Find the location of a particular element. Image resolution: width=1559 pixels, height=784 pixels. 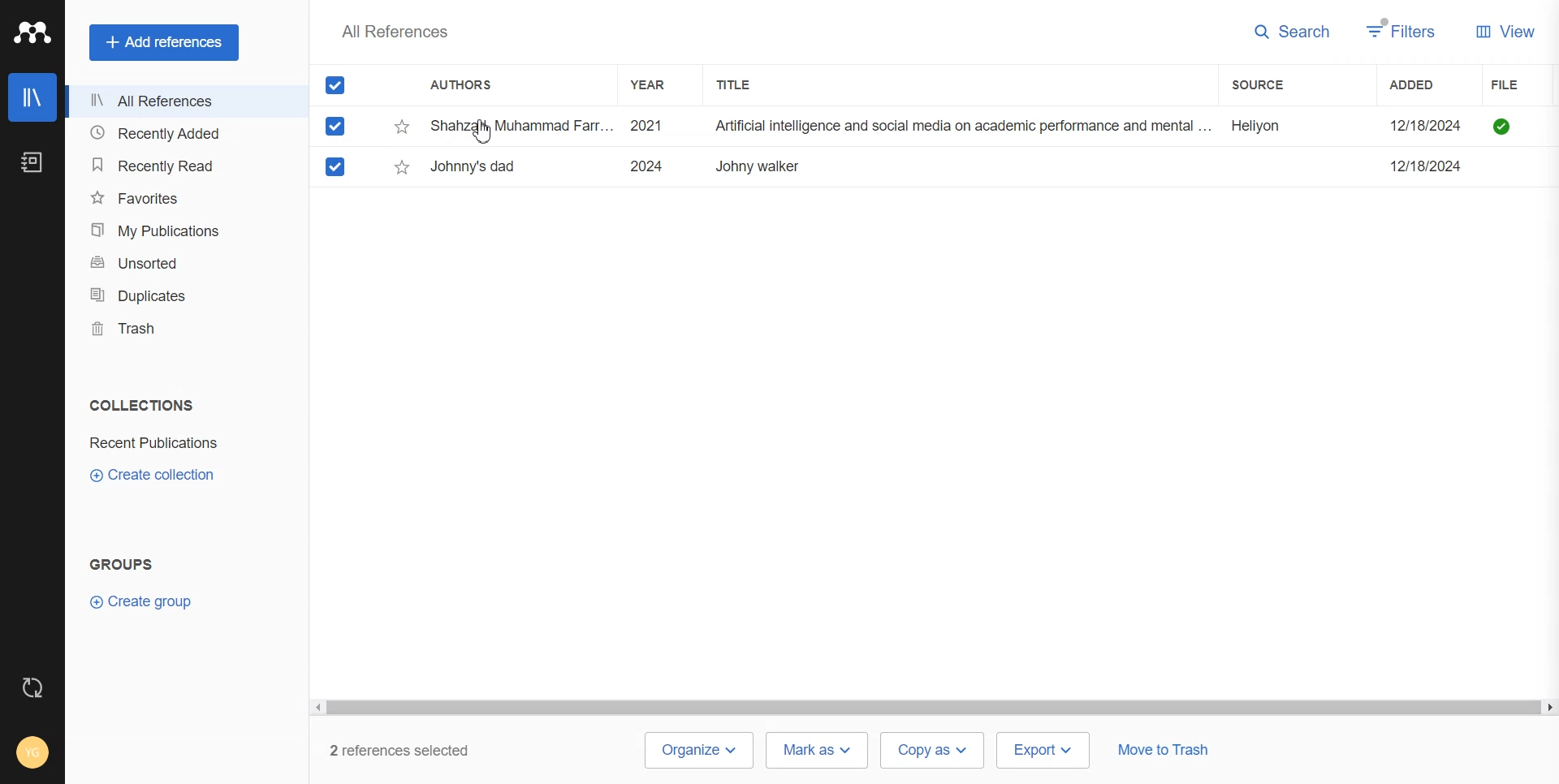

All References is located at coordinates (181, 101).